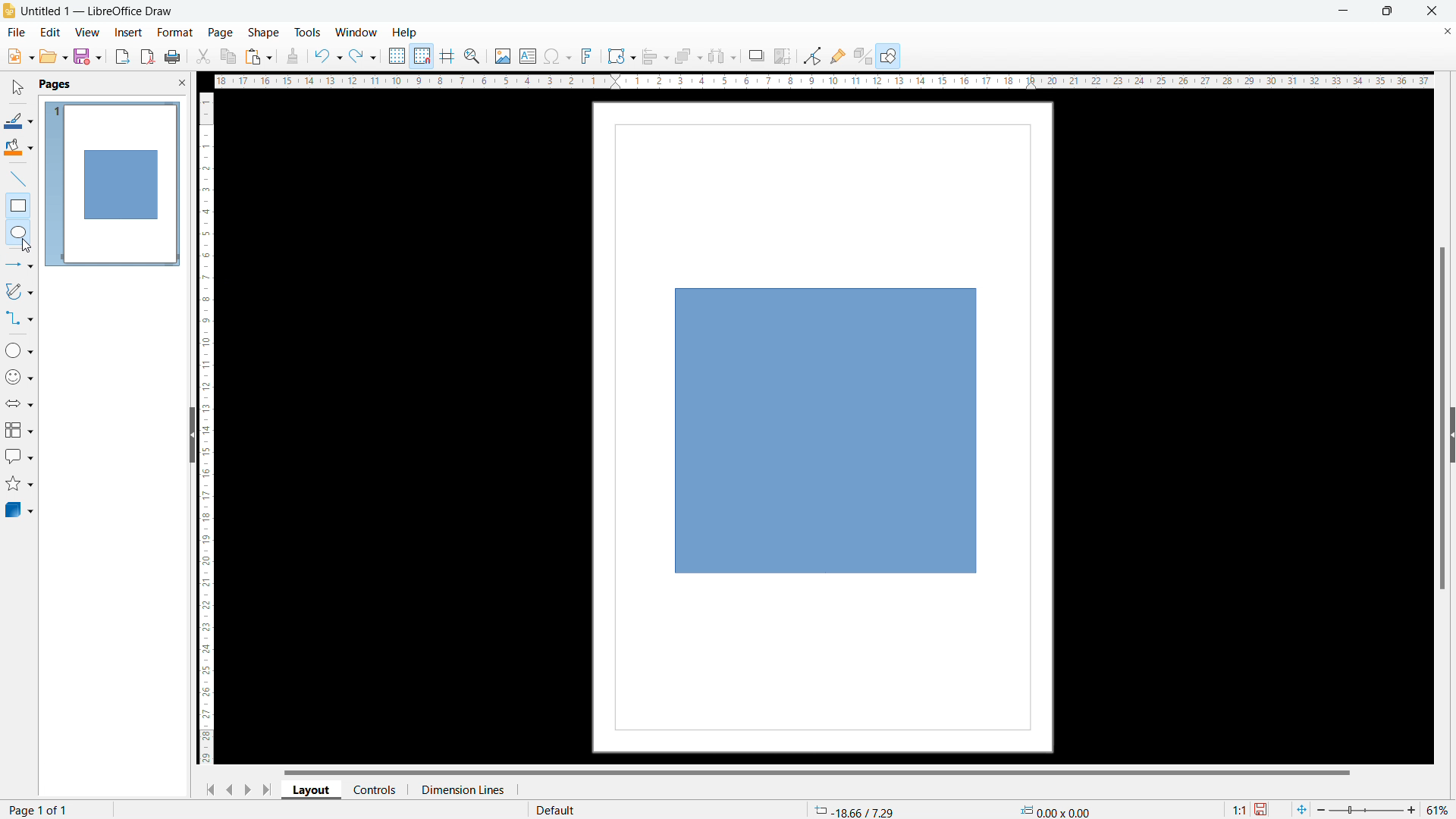 This screenshot has height=819, width=1456. What do you see at coordinates (20, 377) in the screenshot?
I see `symbol shapes` at bounding box center [20, 377].